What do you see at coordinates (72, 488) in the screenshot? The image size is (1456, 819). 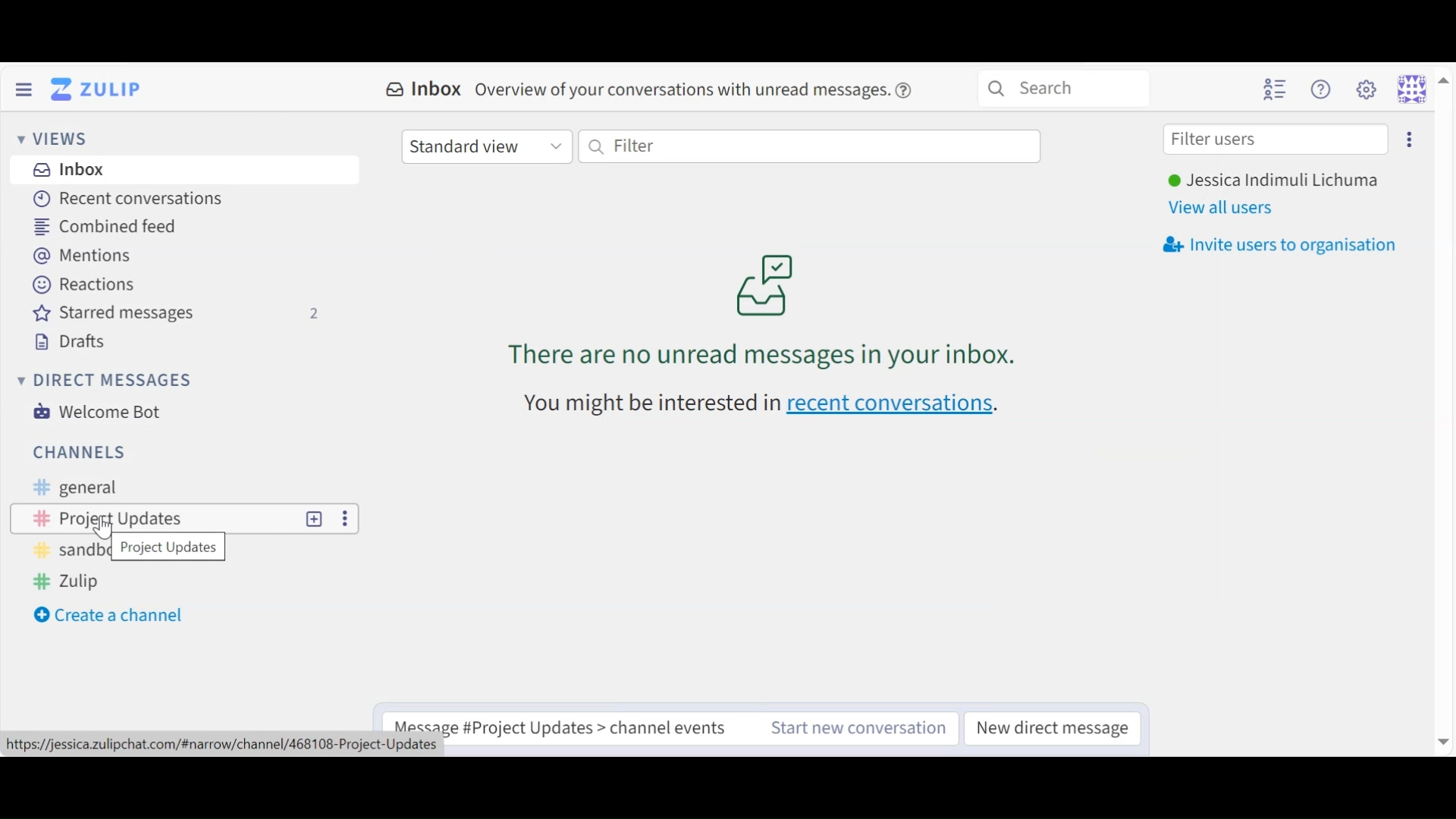 I see `General Channel` at bounding box center [72, 488].